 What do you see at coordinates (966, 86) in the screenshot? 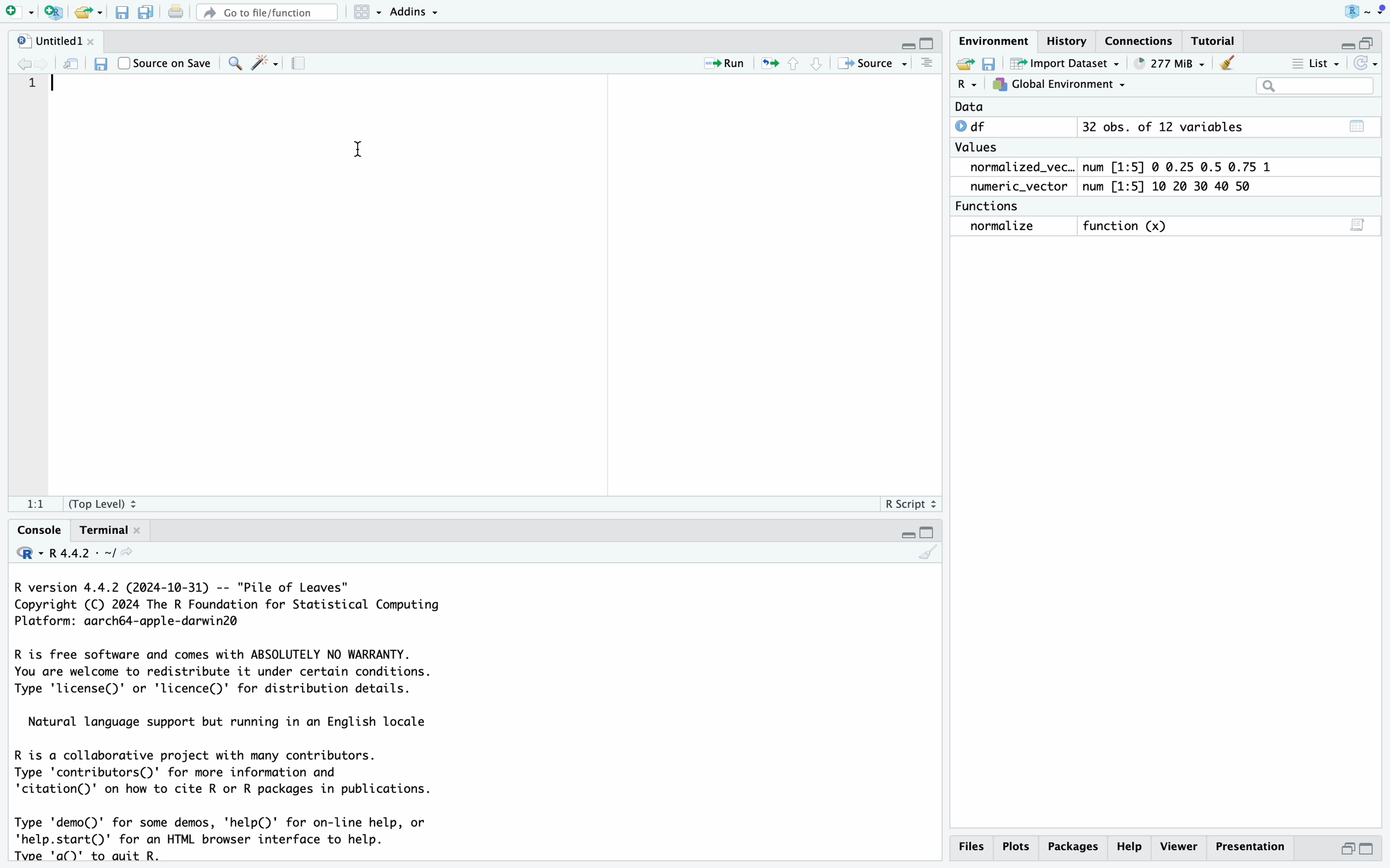
I see `R` at bounding box center [966, 86].